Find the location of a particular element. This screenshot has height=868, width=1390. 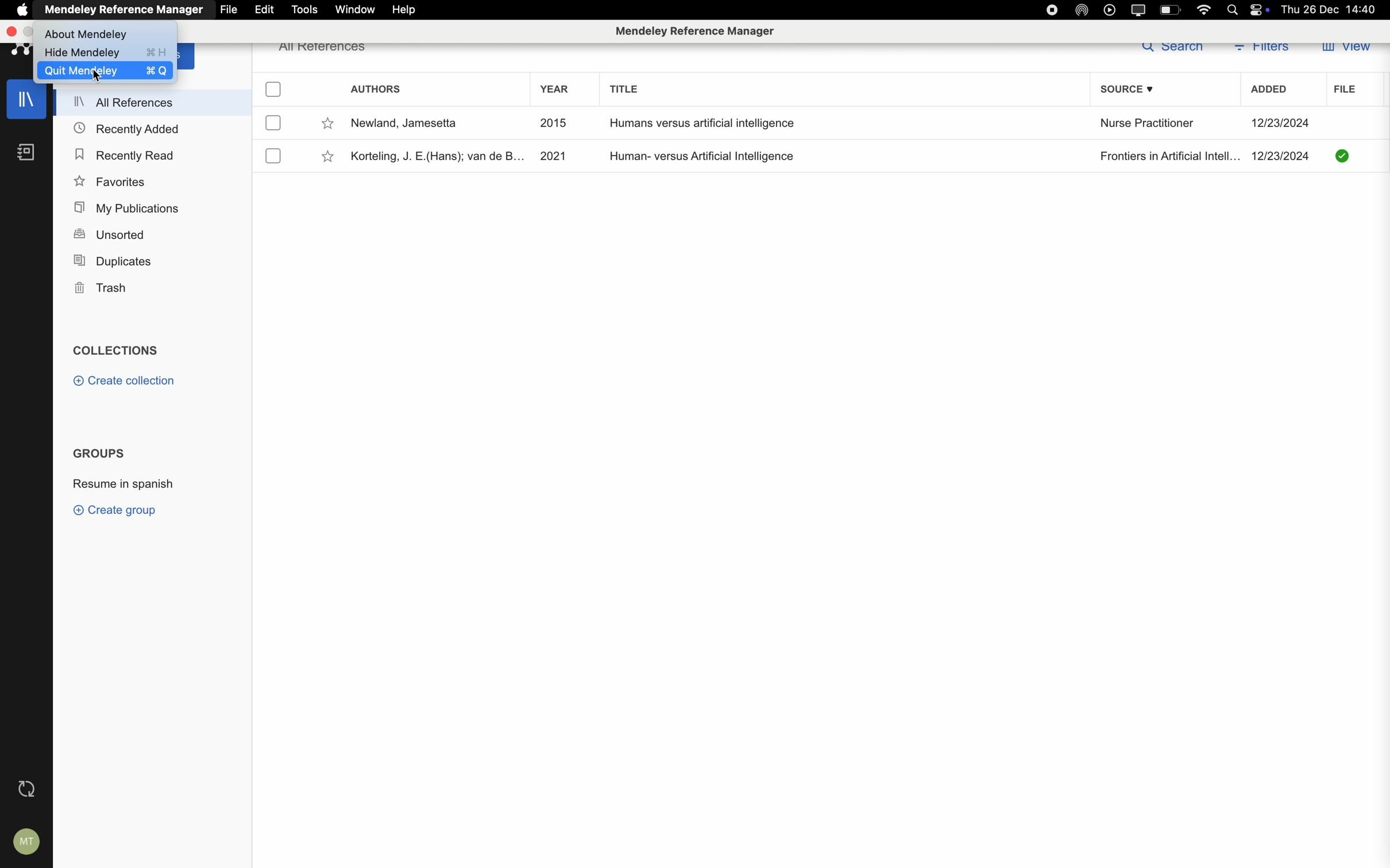

all references is located at coordinates (156, 101).